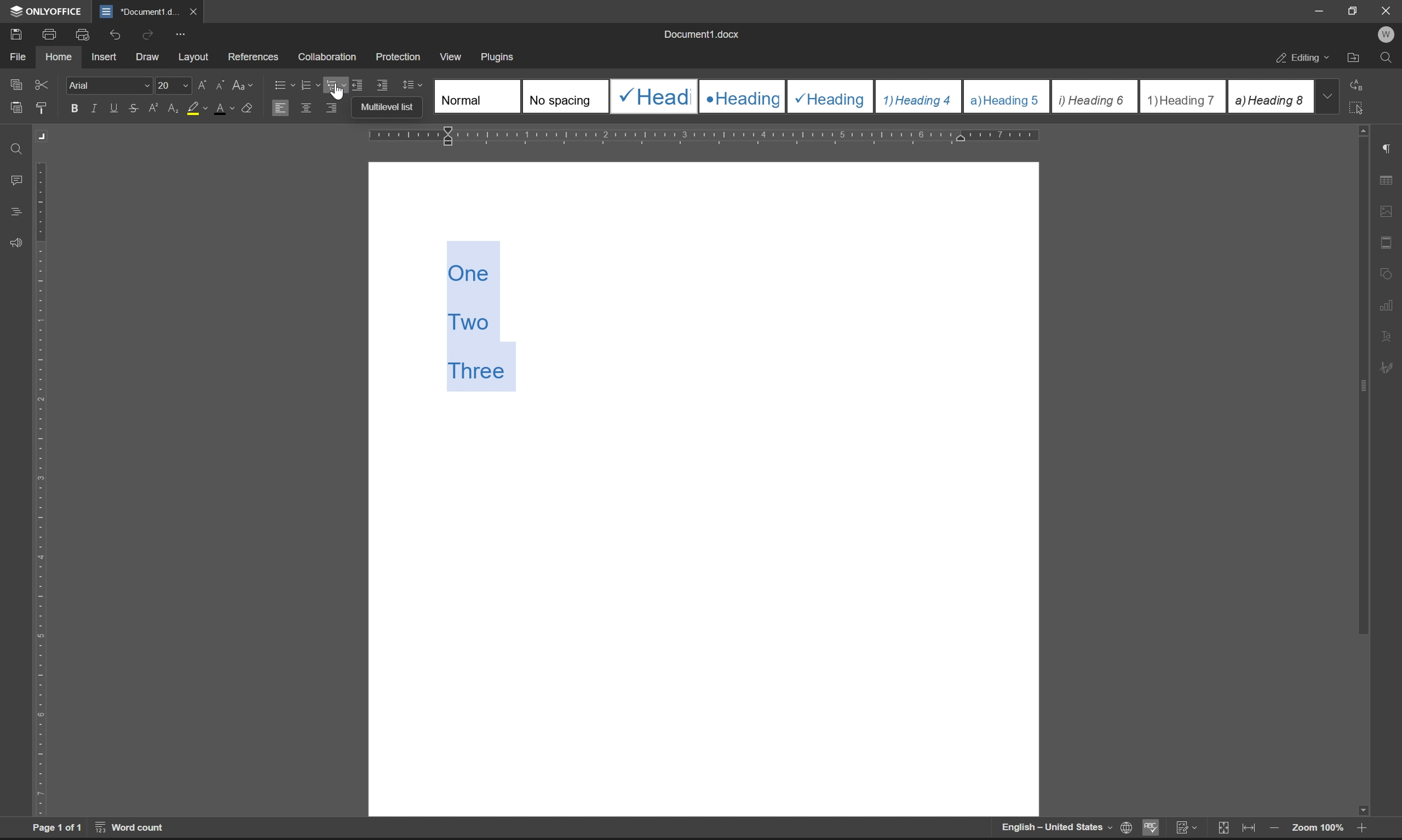 The width and height of the screenshot is (1402, 840). What do you see at coordinates (104, 56) in the screenshot?
I see `insert` at bounding box center [104, 56].